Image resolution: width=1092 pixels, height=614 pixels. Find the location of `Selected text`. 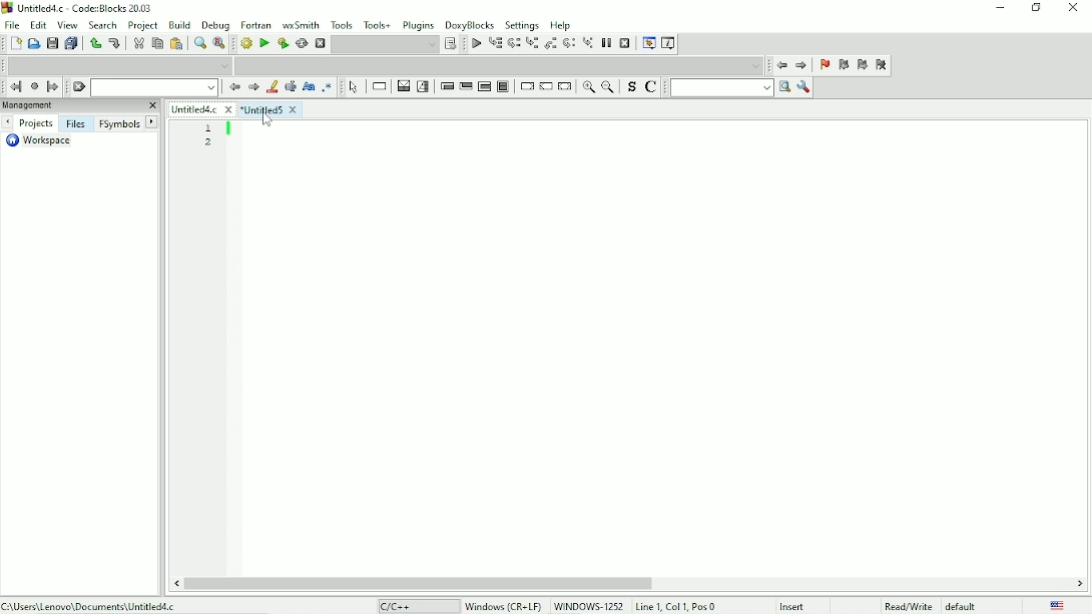

Selected text is located at coordinates (291, 86).